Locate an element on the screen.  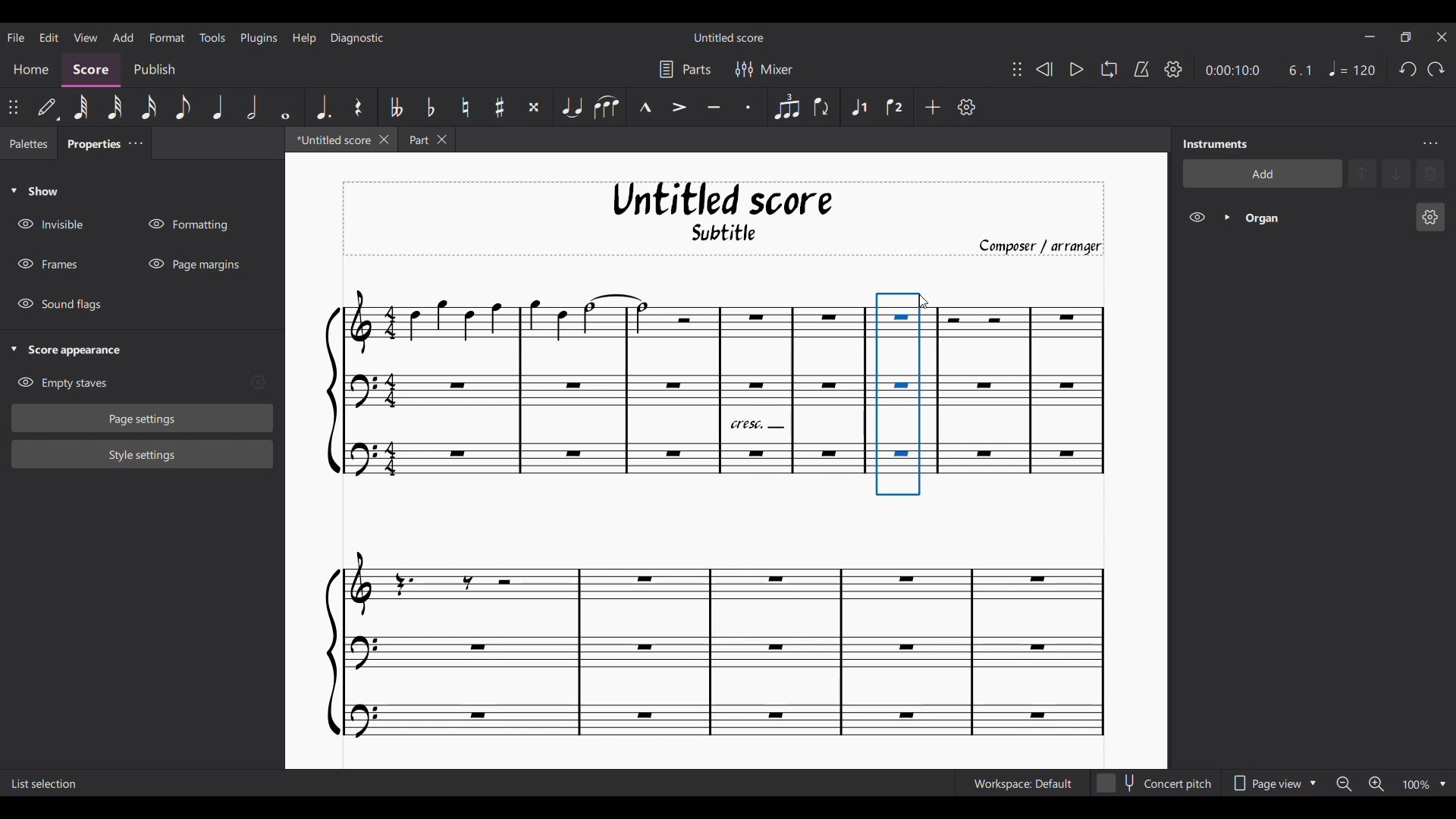
Tenuto is located at coordinates (715, 107).